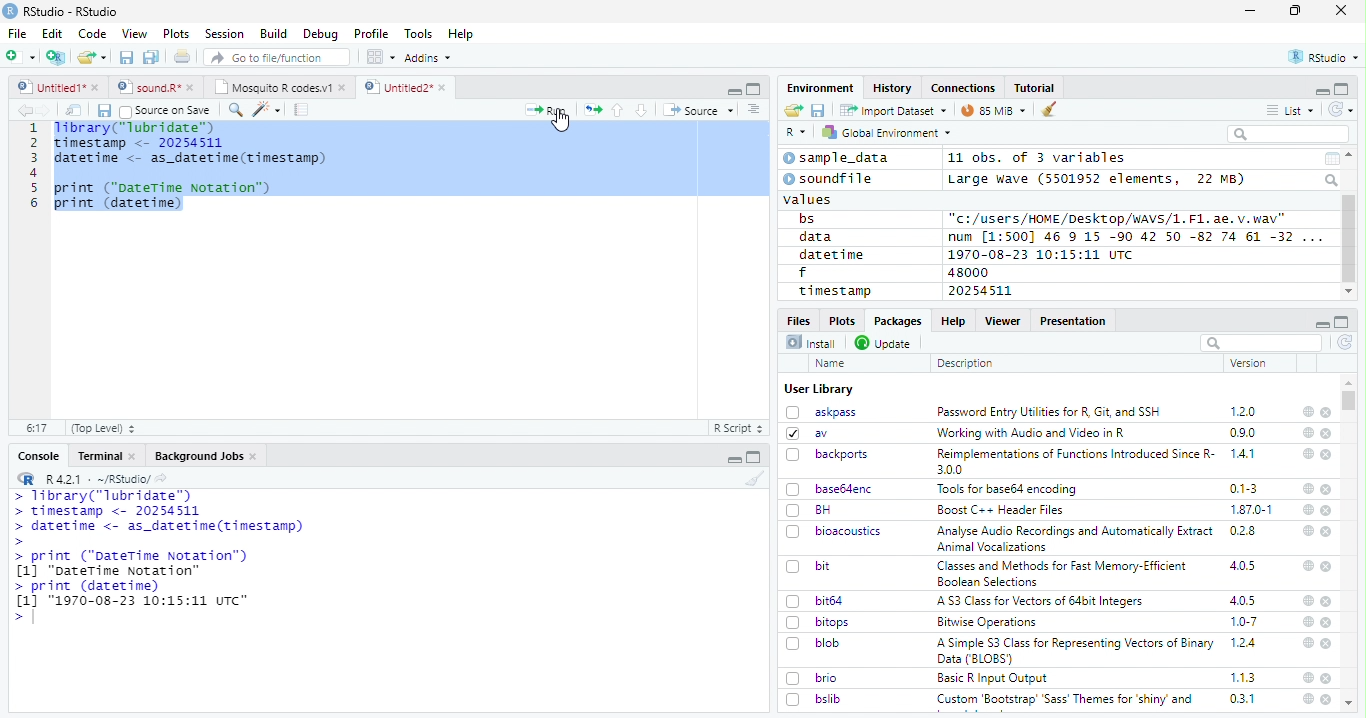 The height and width of the screenshot is (718, 1366). What do you see at coordinates (265, 109) in the screenshot?
I see `Code tools` at bounding box center [265, 109].